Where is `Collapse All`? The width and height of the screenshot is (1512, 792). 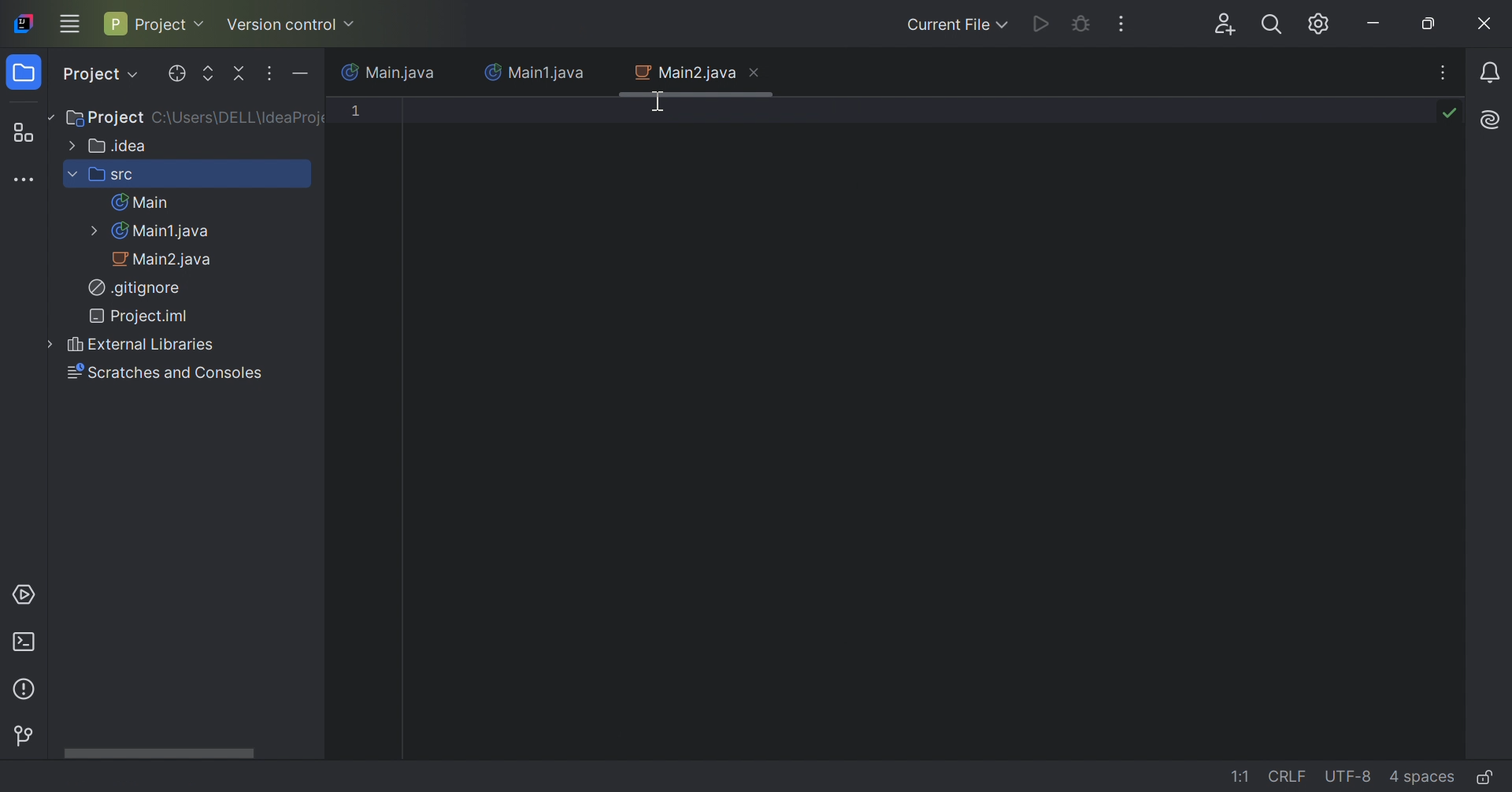
Collapse All is located at coordinates (239, 75).